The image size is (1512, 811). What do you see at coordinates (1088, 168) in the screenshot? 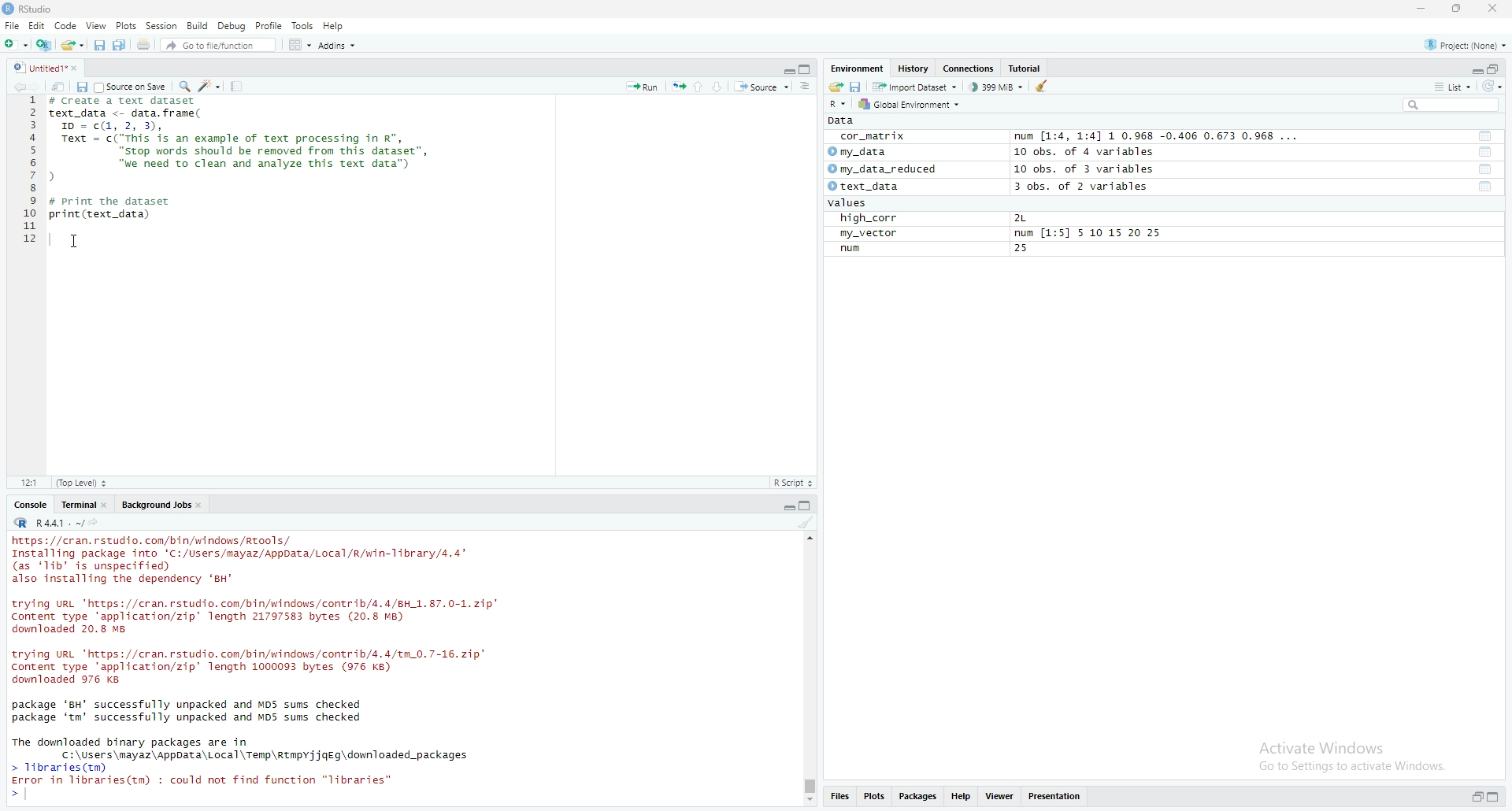
I see `10 obs. of 3 variables` at bounding box center [1088, 168].